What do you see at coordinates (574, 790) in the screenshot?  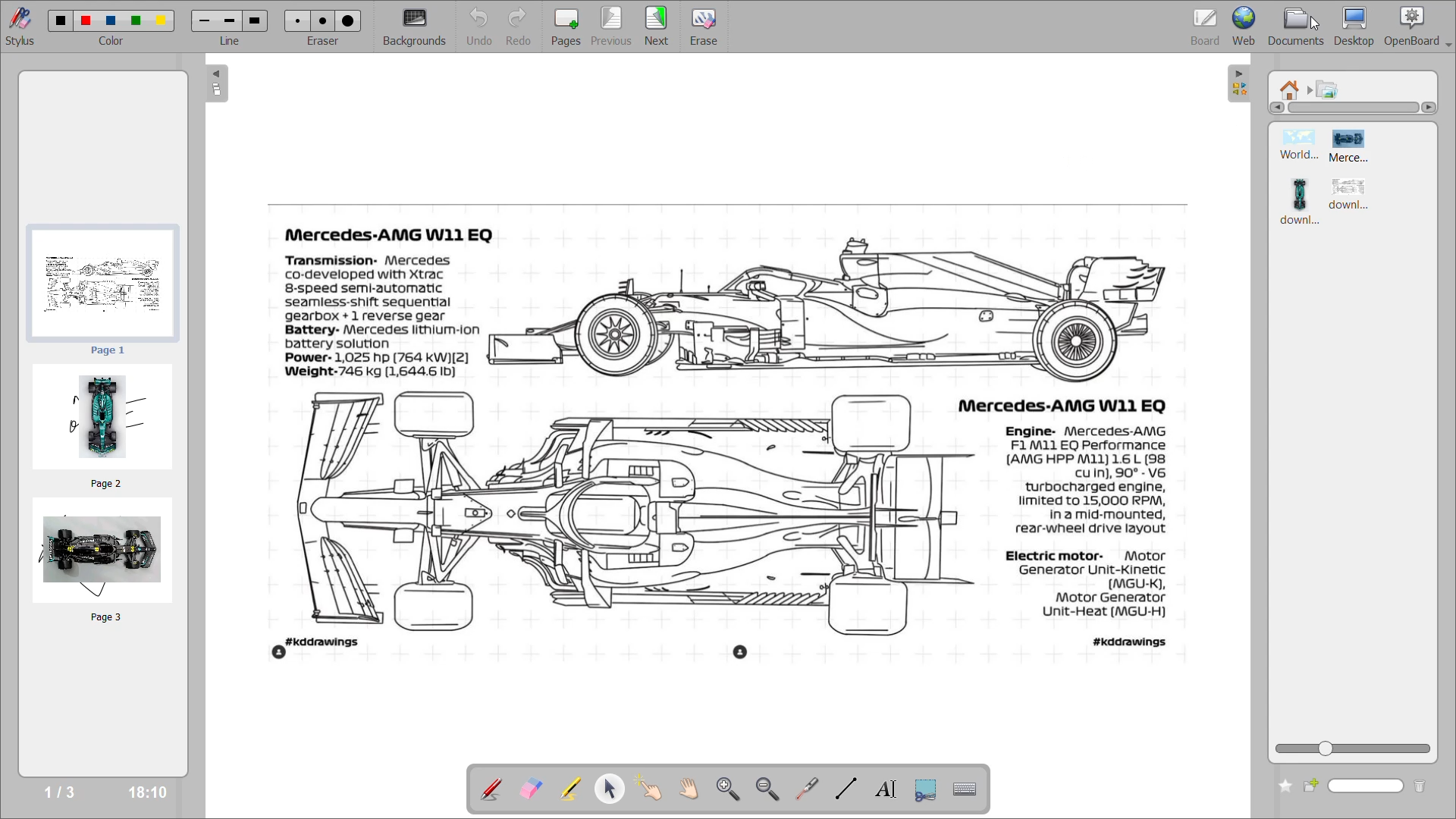 I see `highlight` at bounding box center [574, 790].